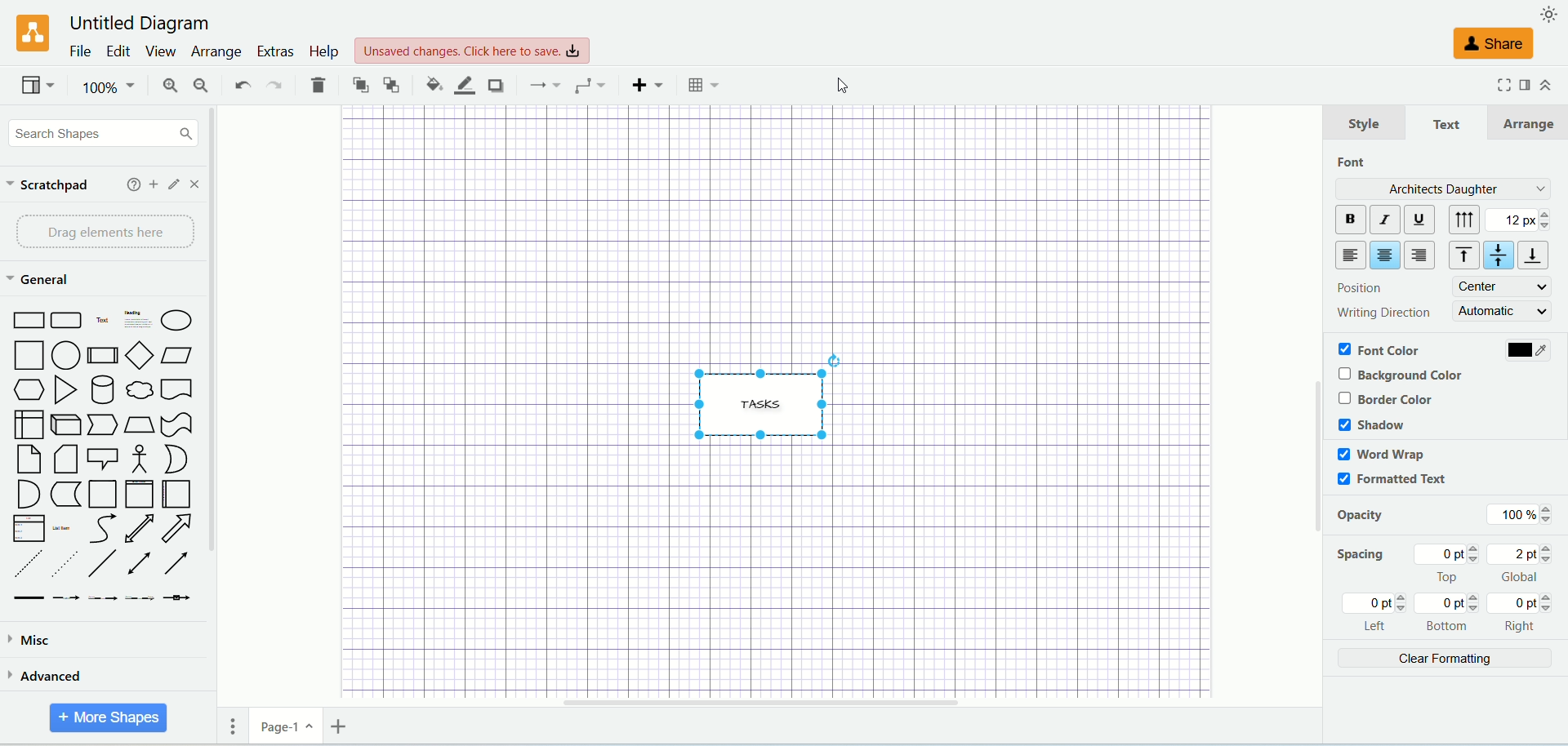 This screenshot has width=1568, height=746. What do you see at coordinates (1516, 513) in the screenshot?
I see `100%` at bounding box center [1516, 513].